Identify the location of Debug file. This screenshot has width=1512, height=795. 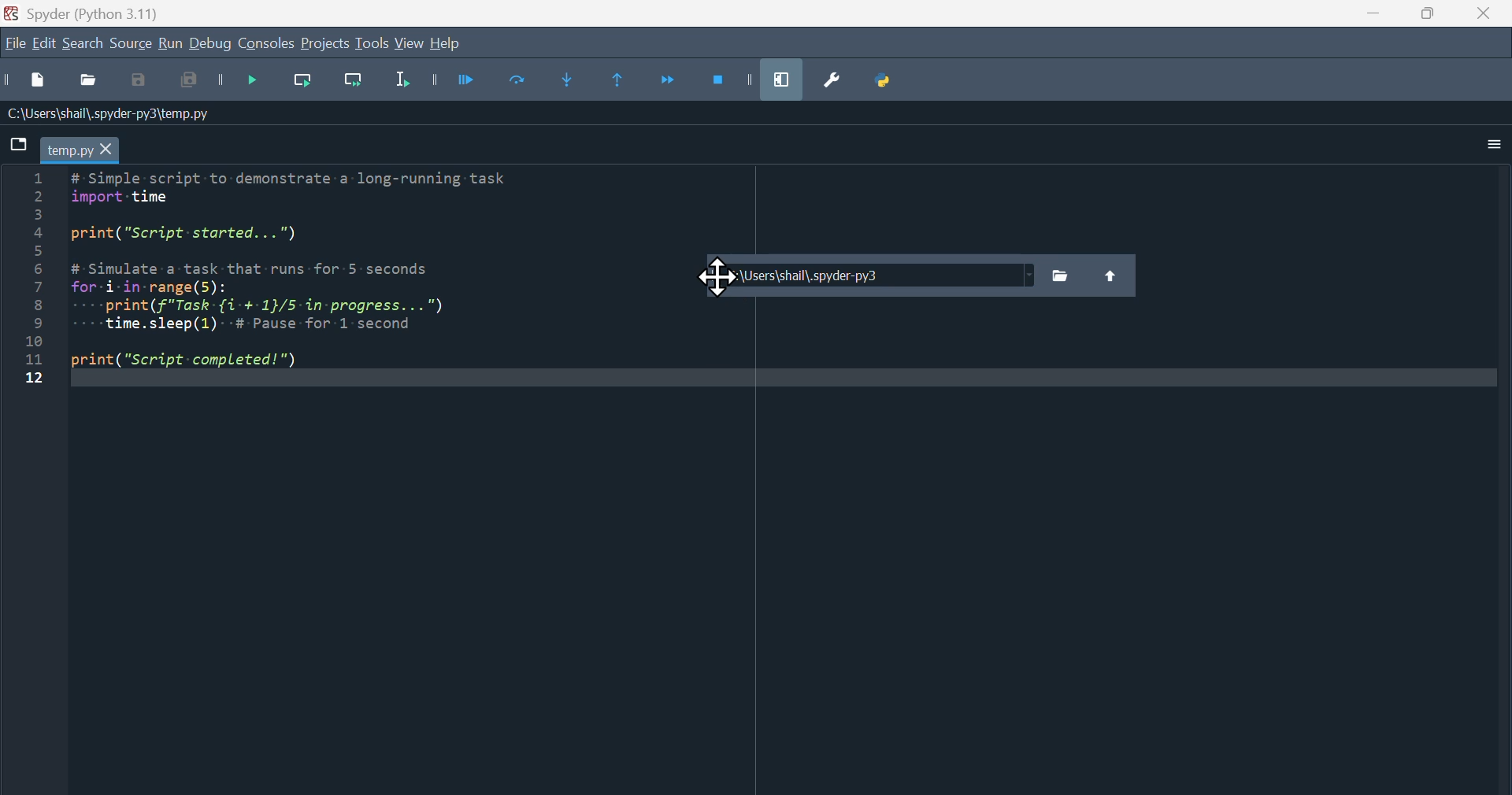
(258, 85).